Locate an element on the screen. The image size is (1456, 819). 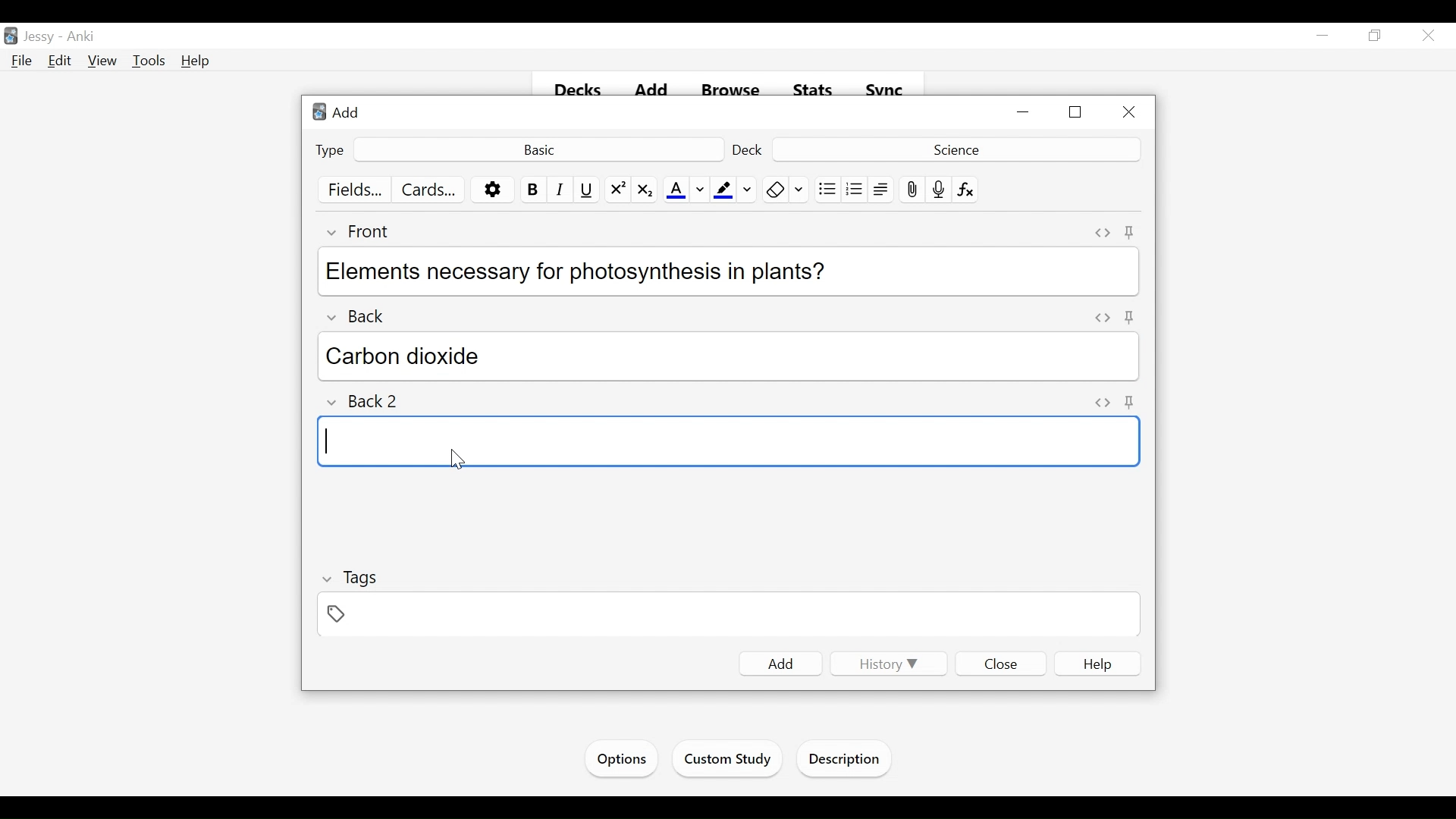
Close is located at coordinates (1426, 37).